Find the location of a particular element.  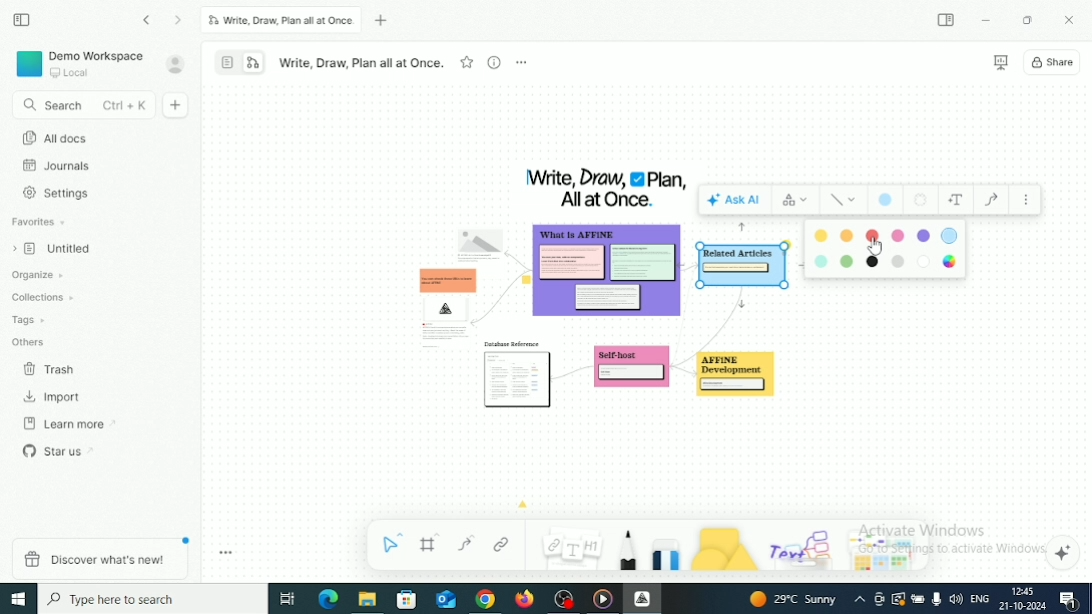

Sky blue is located at coordinates (819, 262).